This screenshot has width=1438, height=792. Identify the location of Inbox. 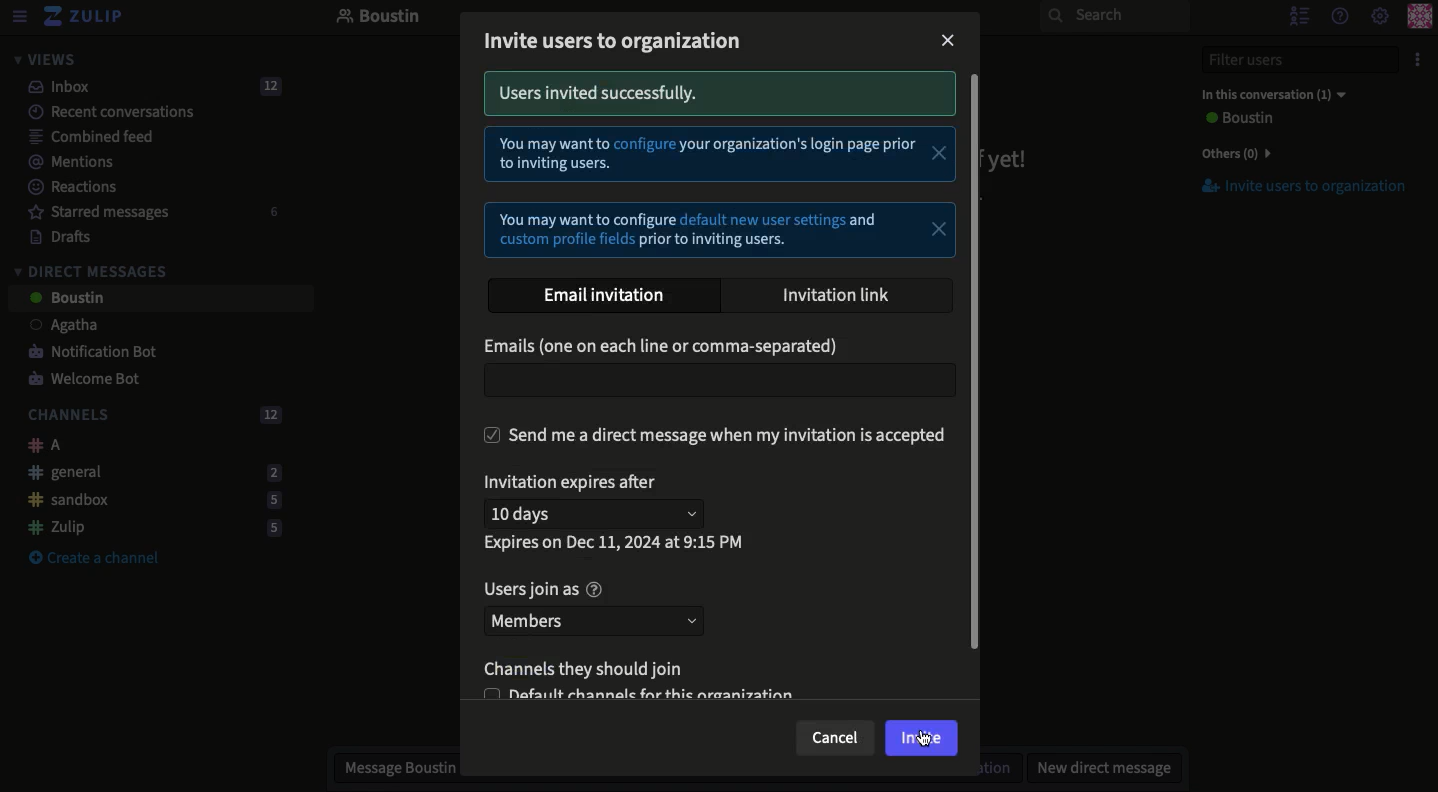
(146, 87).